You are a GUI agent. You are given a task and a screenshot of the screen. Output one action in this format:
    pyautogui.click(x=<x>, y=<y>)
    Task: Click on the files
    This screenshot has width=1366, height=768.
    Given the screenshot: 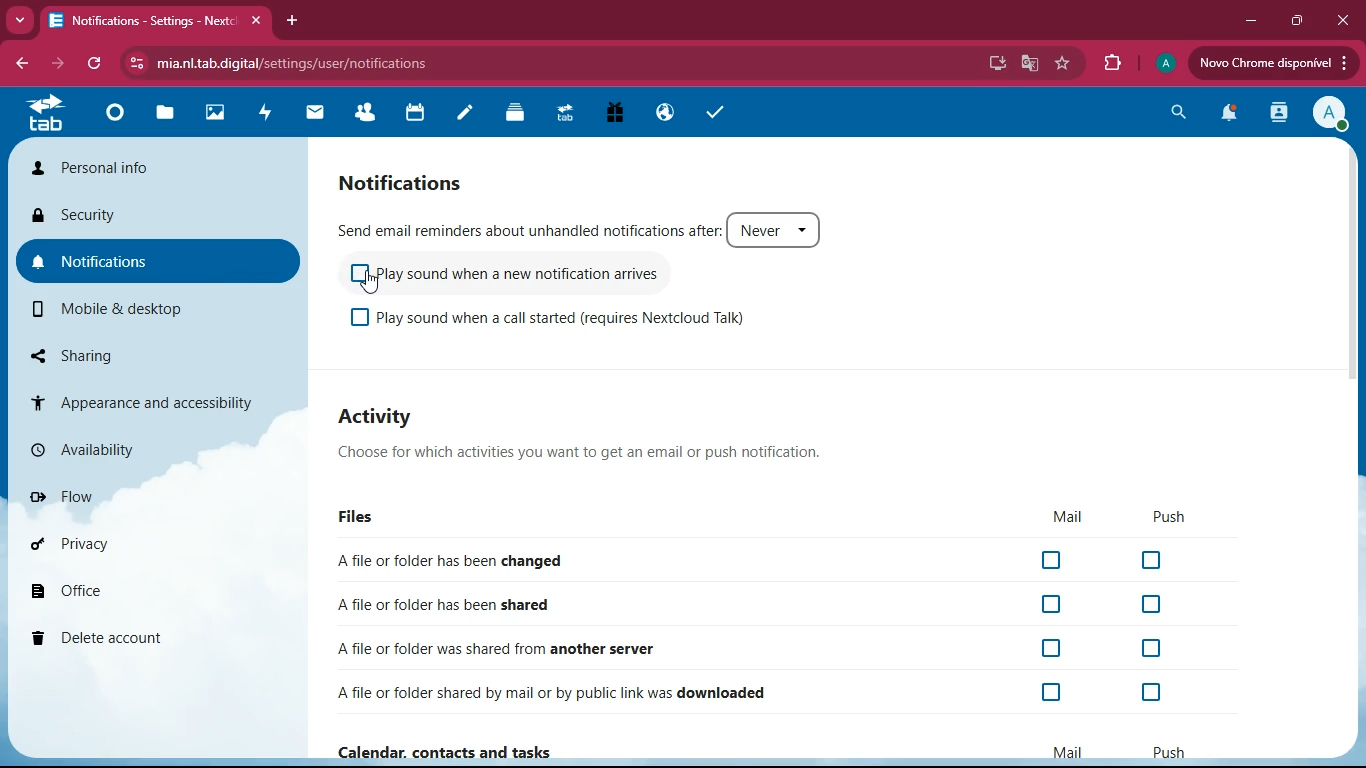 What is the action you would take?
    pyautogui.click(x=171, y=112)
    